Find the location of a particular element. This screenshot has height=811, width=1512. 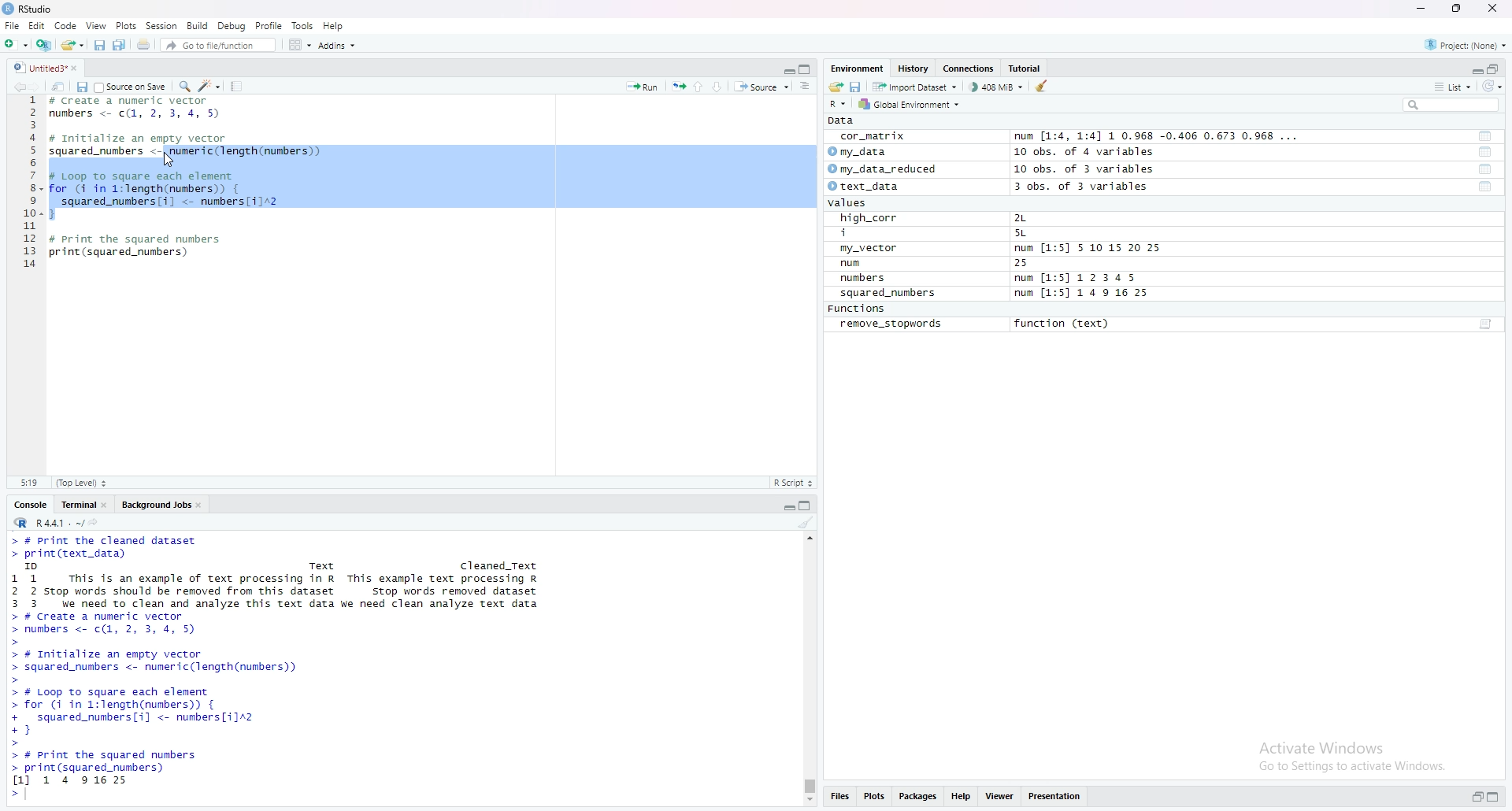

Environment is located at coordinates (857, 68).